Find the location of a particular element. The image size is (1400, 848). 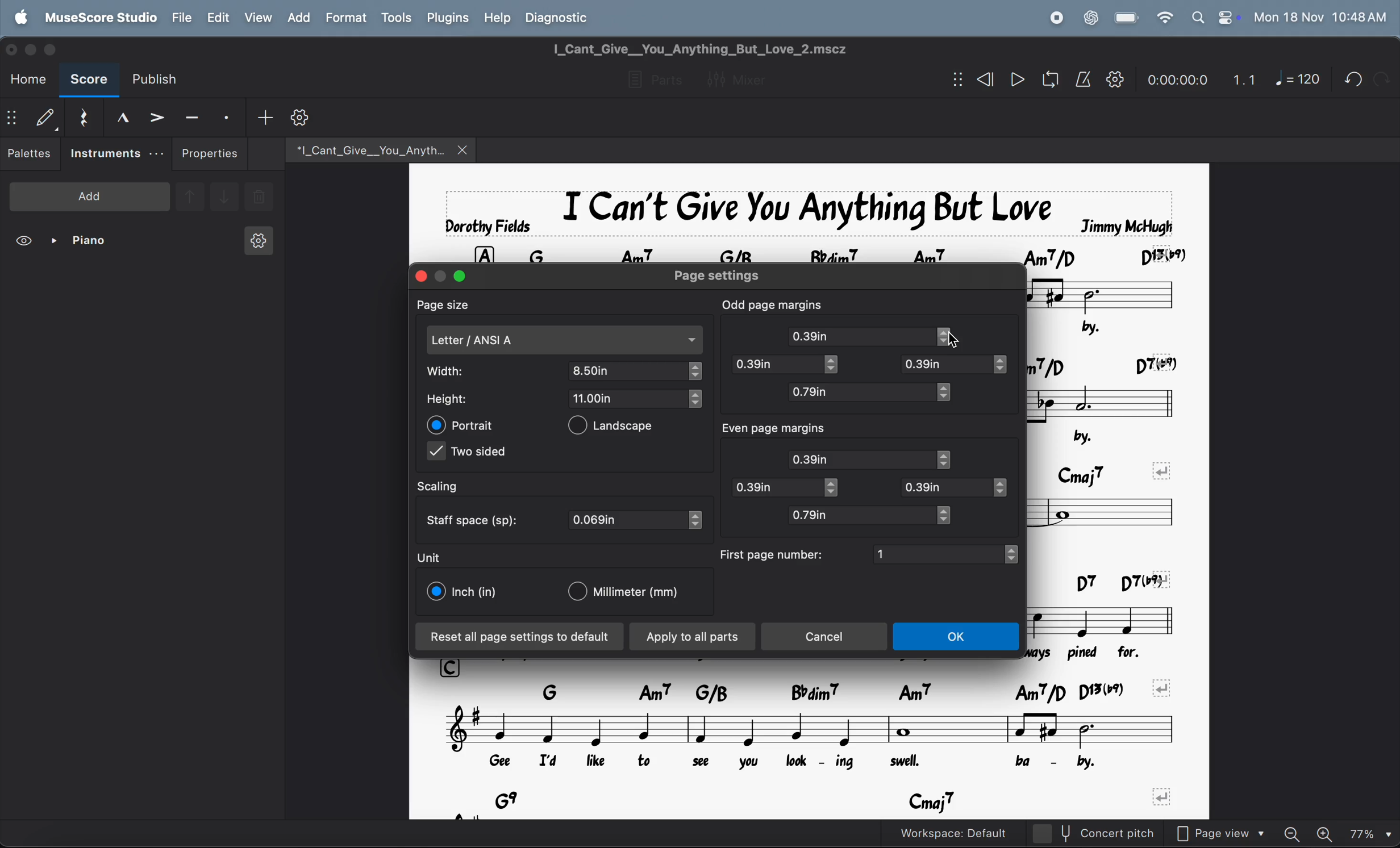

chord symbols is located at coordinates (1108, 364).